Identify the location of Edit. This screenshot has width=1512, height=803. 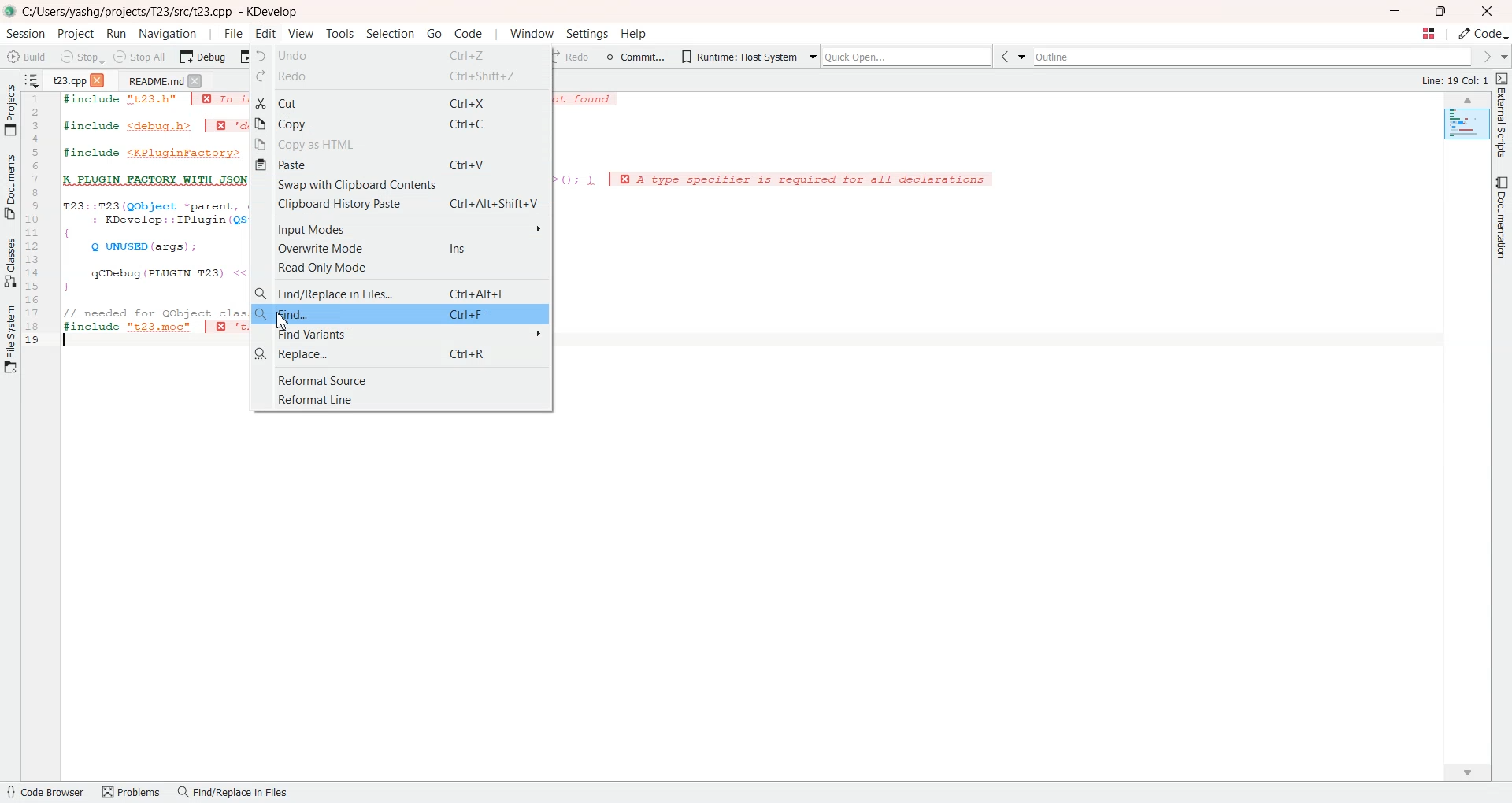
(267, 33).